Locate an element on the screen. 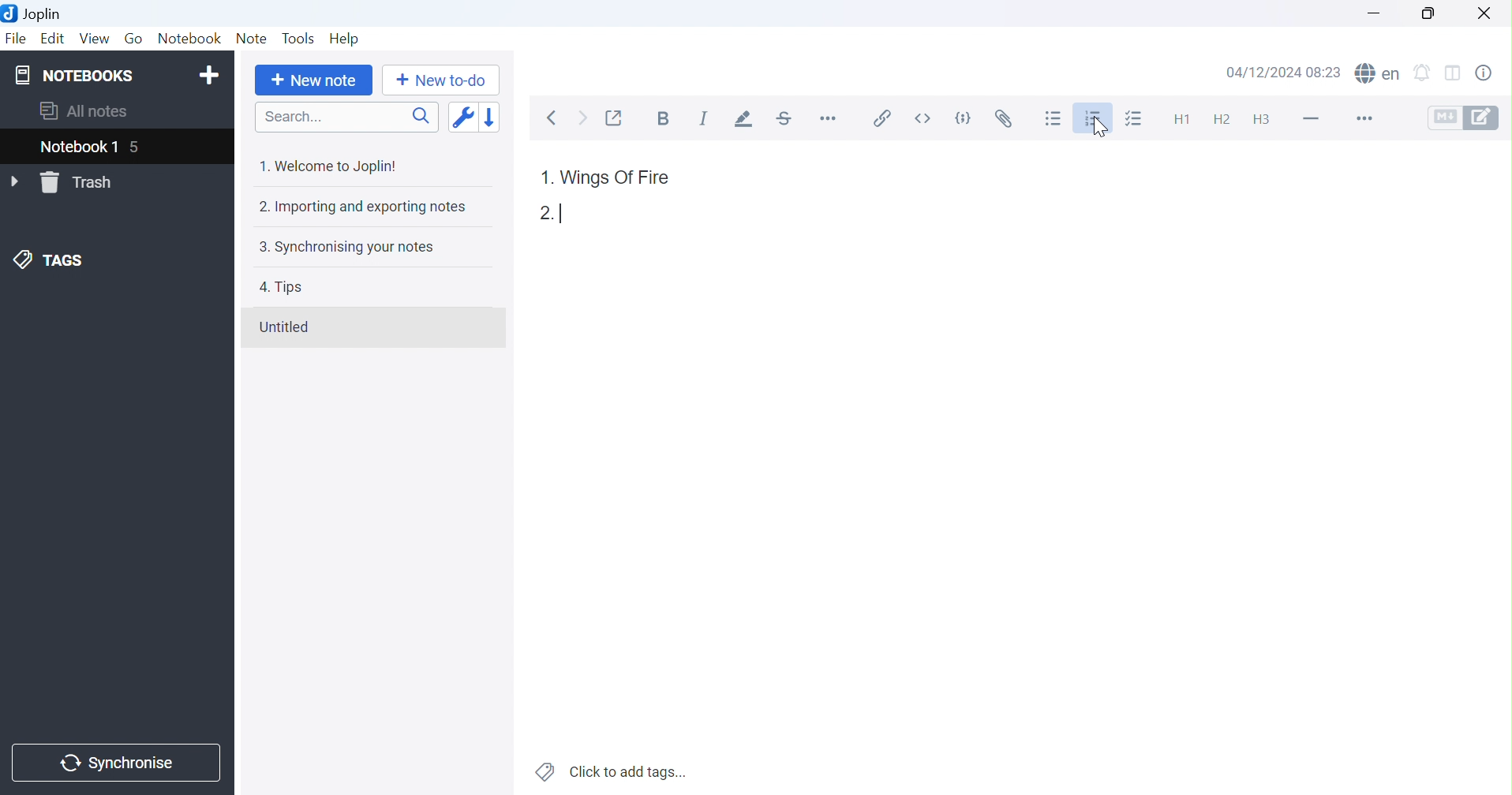 This screenshot has width=1512, height=795. Checkbox list is located at coordinates (1137, 121).